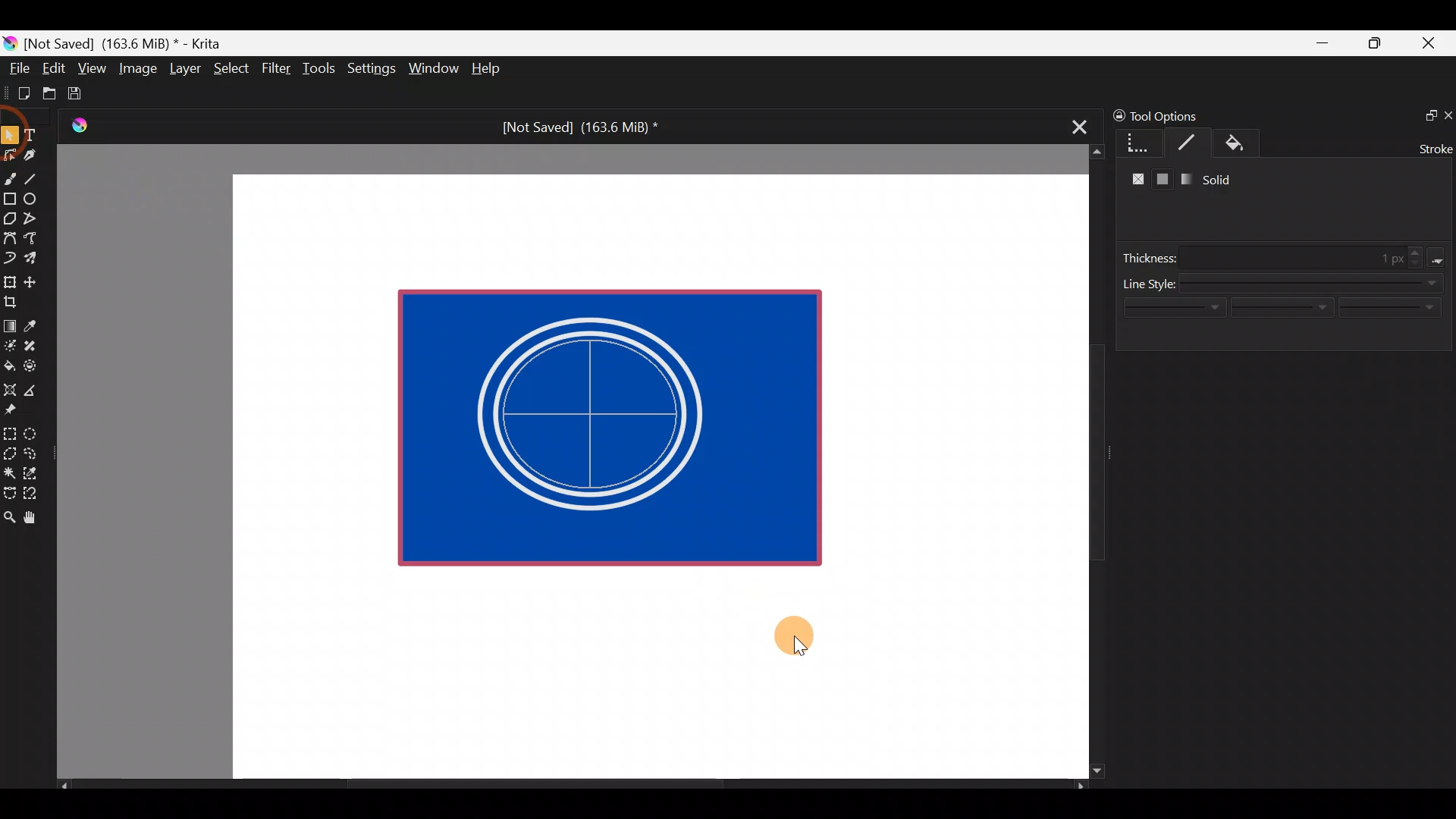 The image size is (1456, 819). Describe the element at coordinates (1075, 124) in the screenshot. I see `Close tab` at that location.